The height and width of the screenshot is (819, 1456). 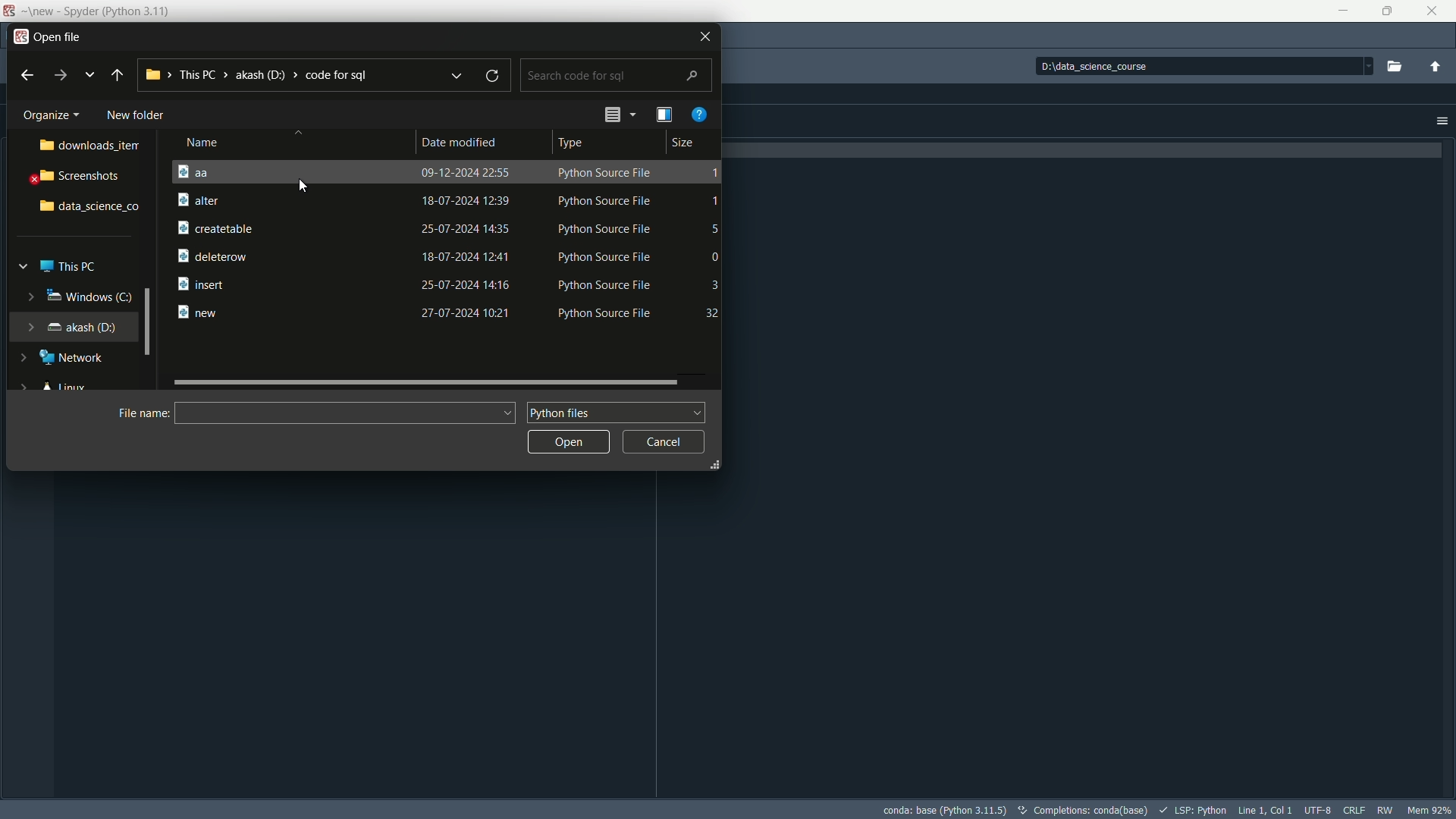 What do you see at coordinates (613, 412) in the screenshot?
I see `python files` at bounding box center [613, 412].